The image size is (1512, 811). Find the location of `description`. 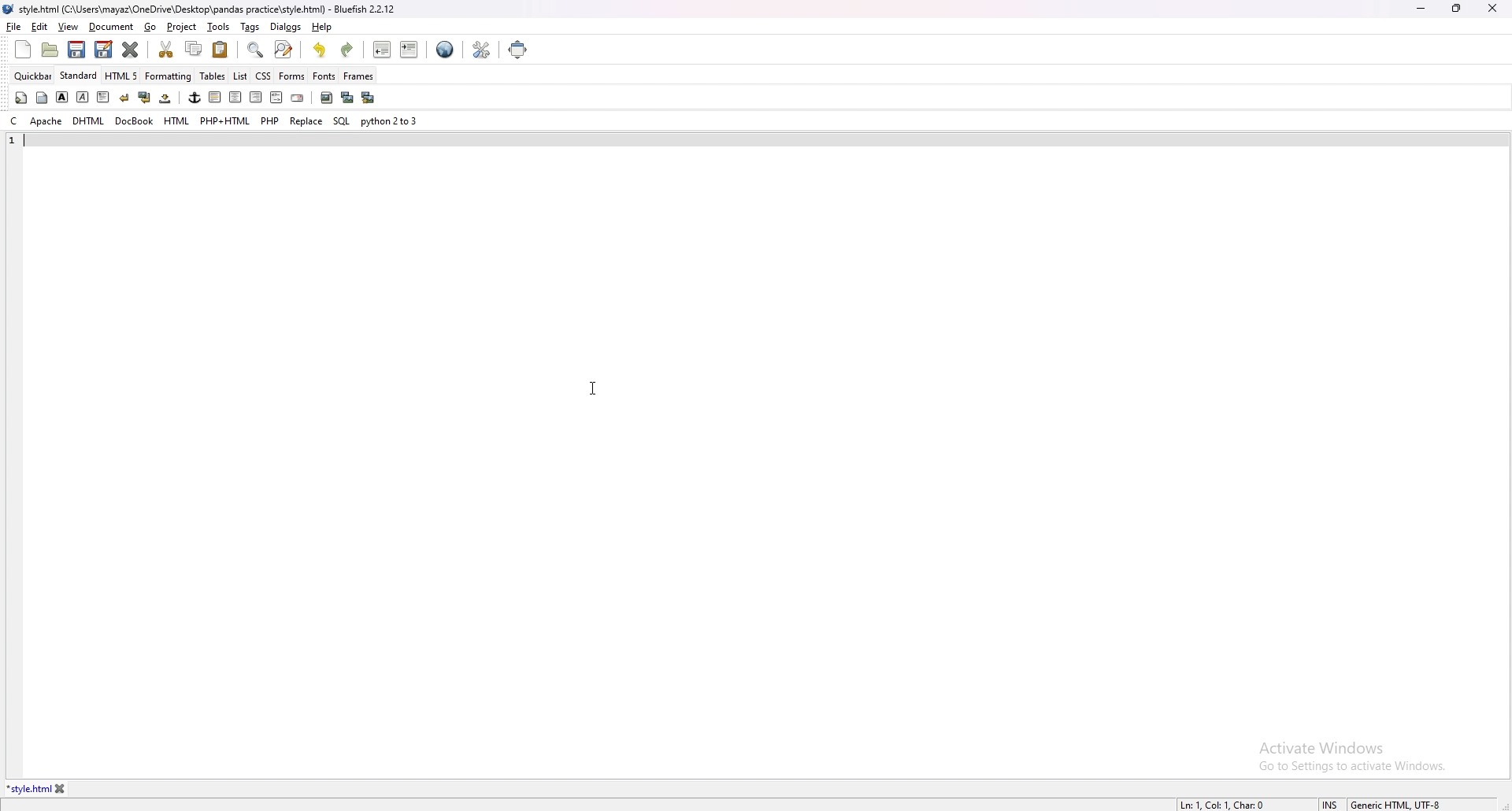

description is located at coordinates (1223, 805).